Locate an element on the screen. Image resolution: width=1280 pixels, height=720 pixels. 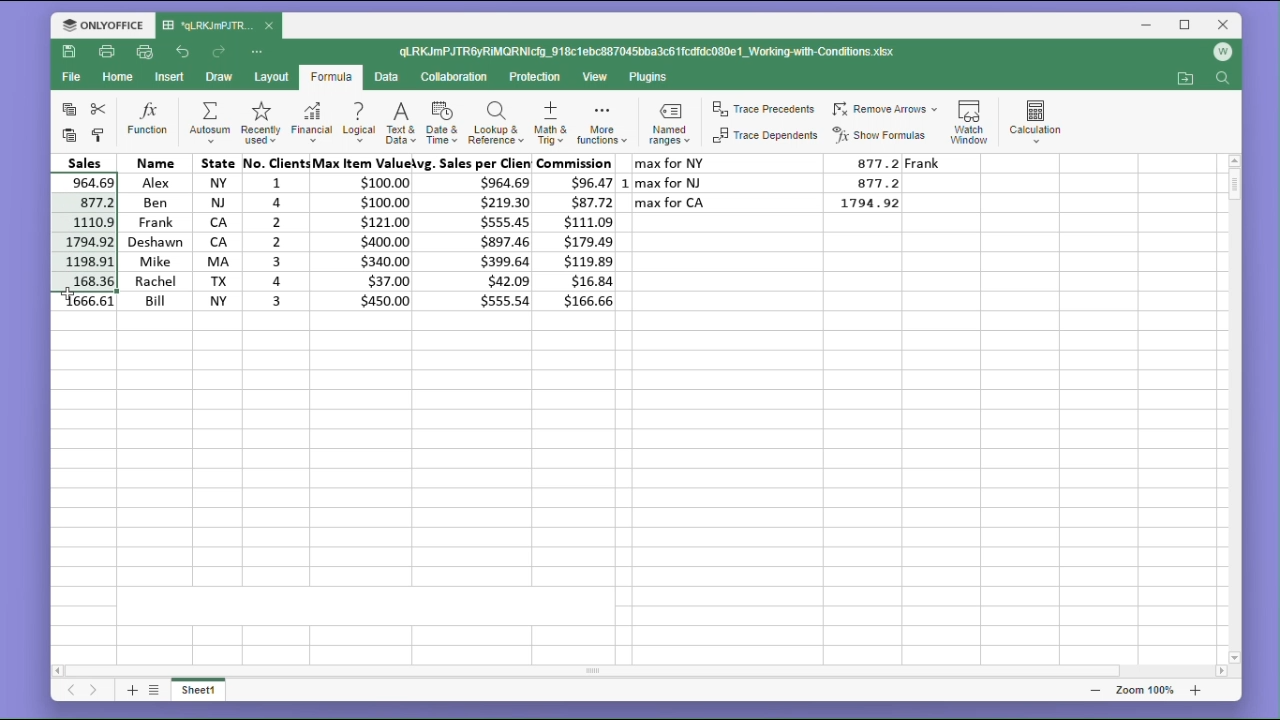
scroll down is located at coordinates (1235, 657).